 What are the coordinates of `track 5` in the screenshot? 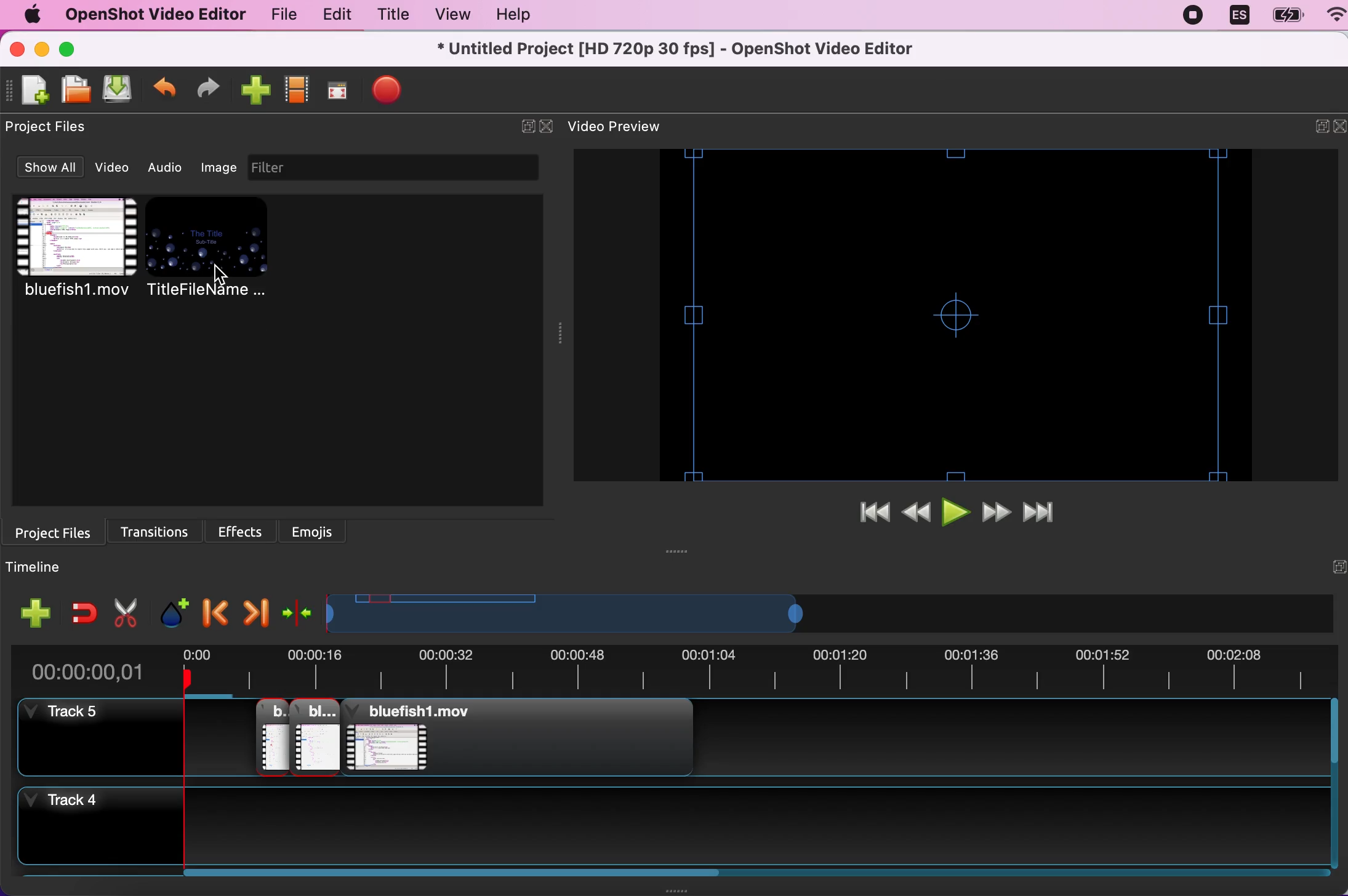 It's located at (93, 736).